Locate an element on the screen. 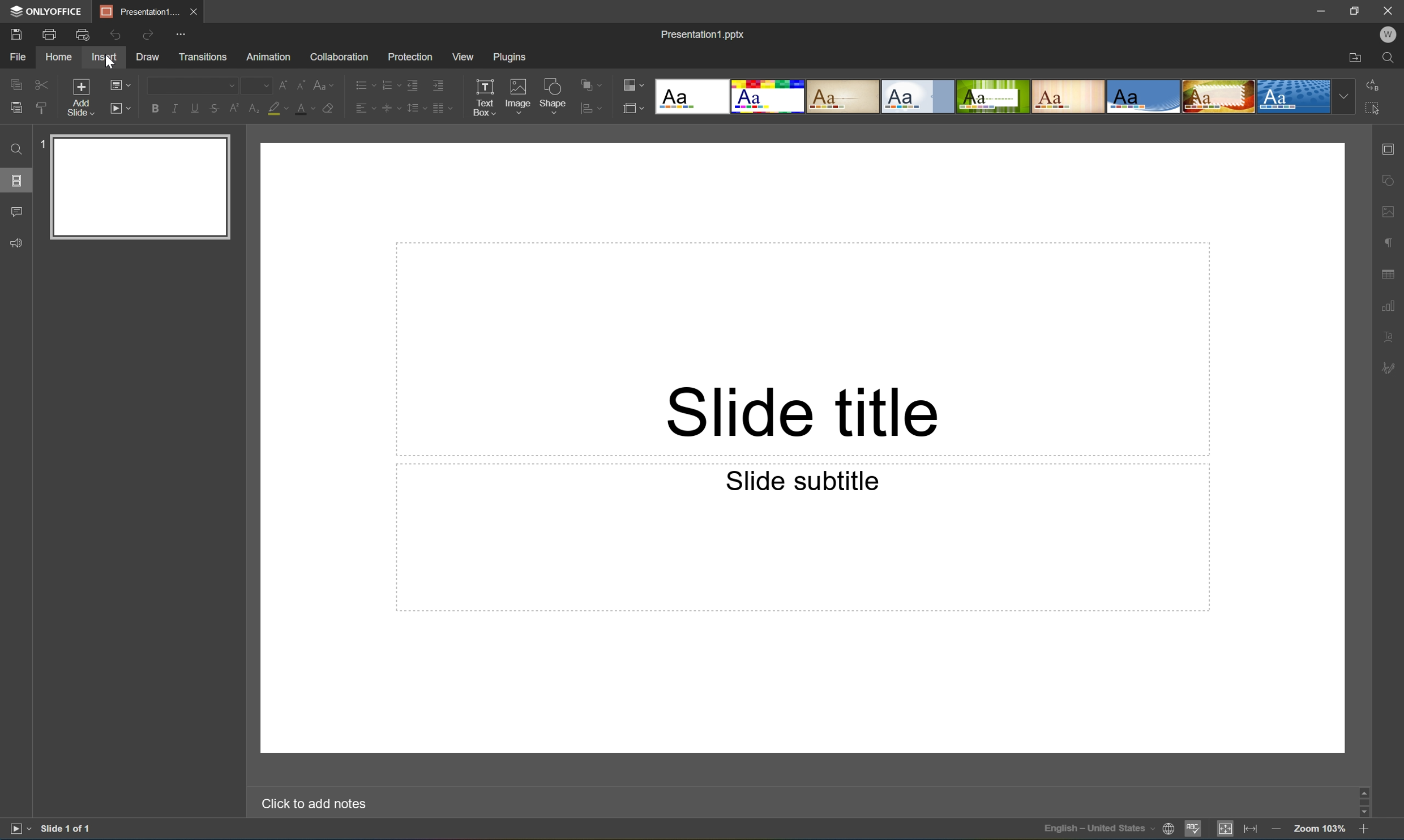 This screenshot has height=840, width=1404. Home is located at coordinates (60, 57).